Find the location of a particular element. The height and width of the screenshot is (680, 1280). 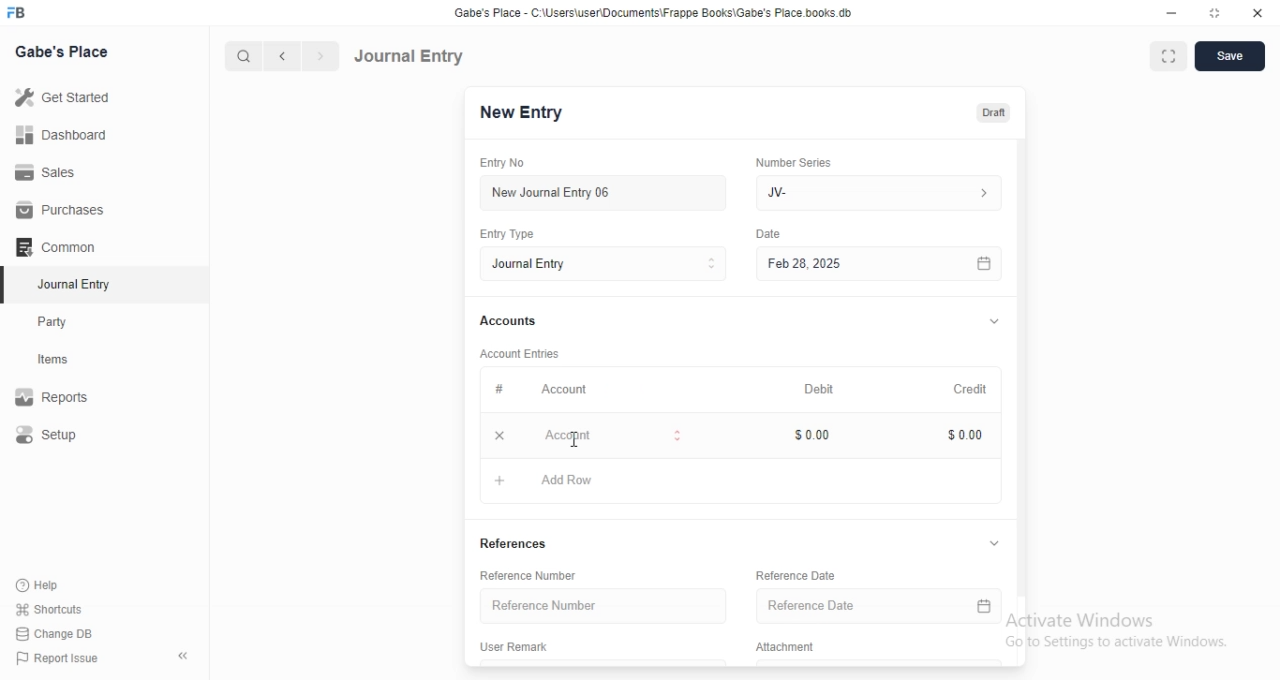

$0.00 is located at coordinates (821, 434).